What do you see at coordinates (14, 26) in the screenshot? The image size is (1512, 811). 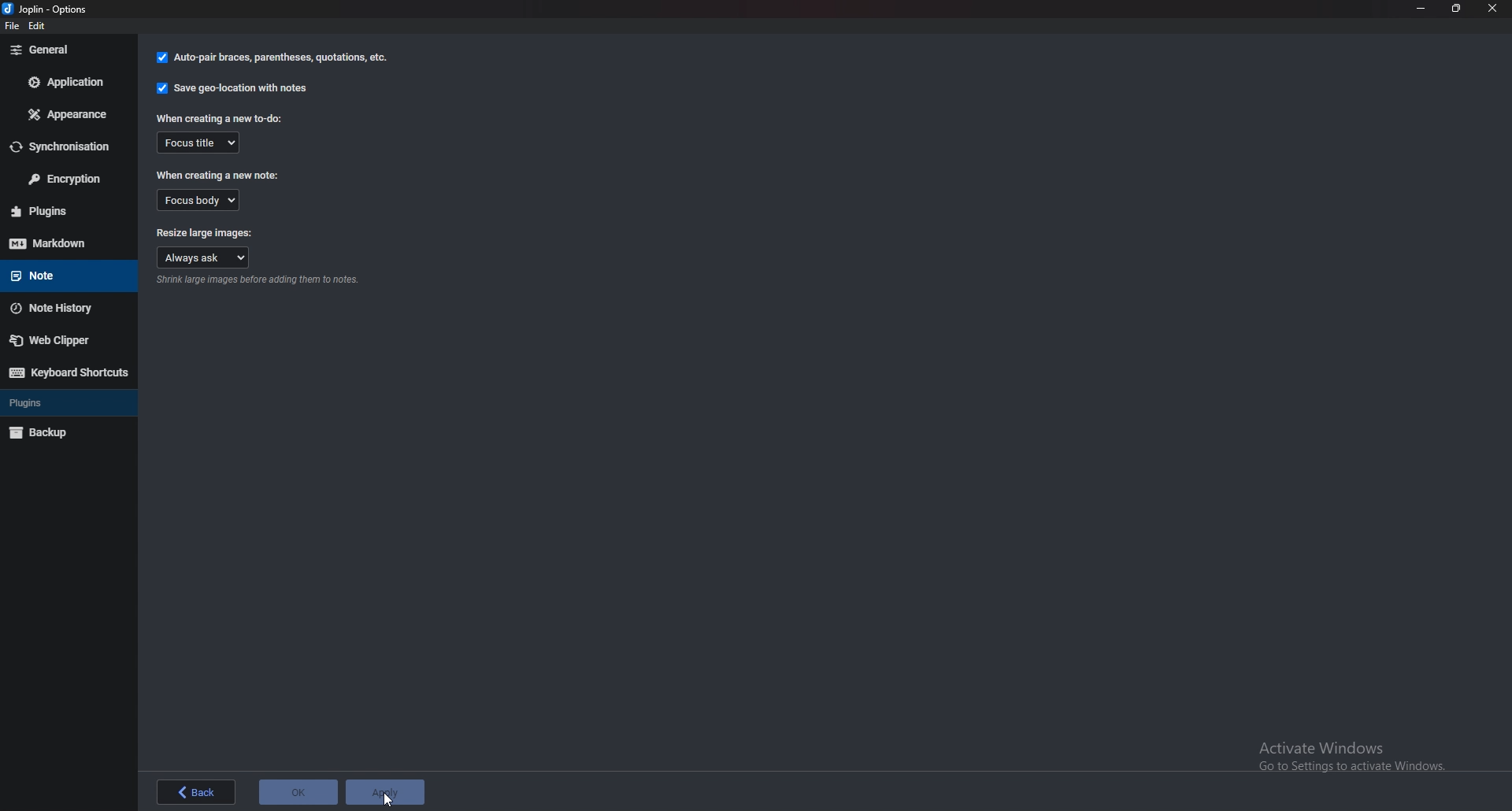 I see `file` at bounding box center [14, 26].